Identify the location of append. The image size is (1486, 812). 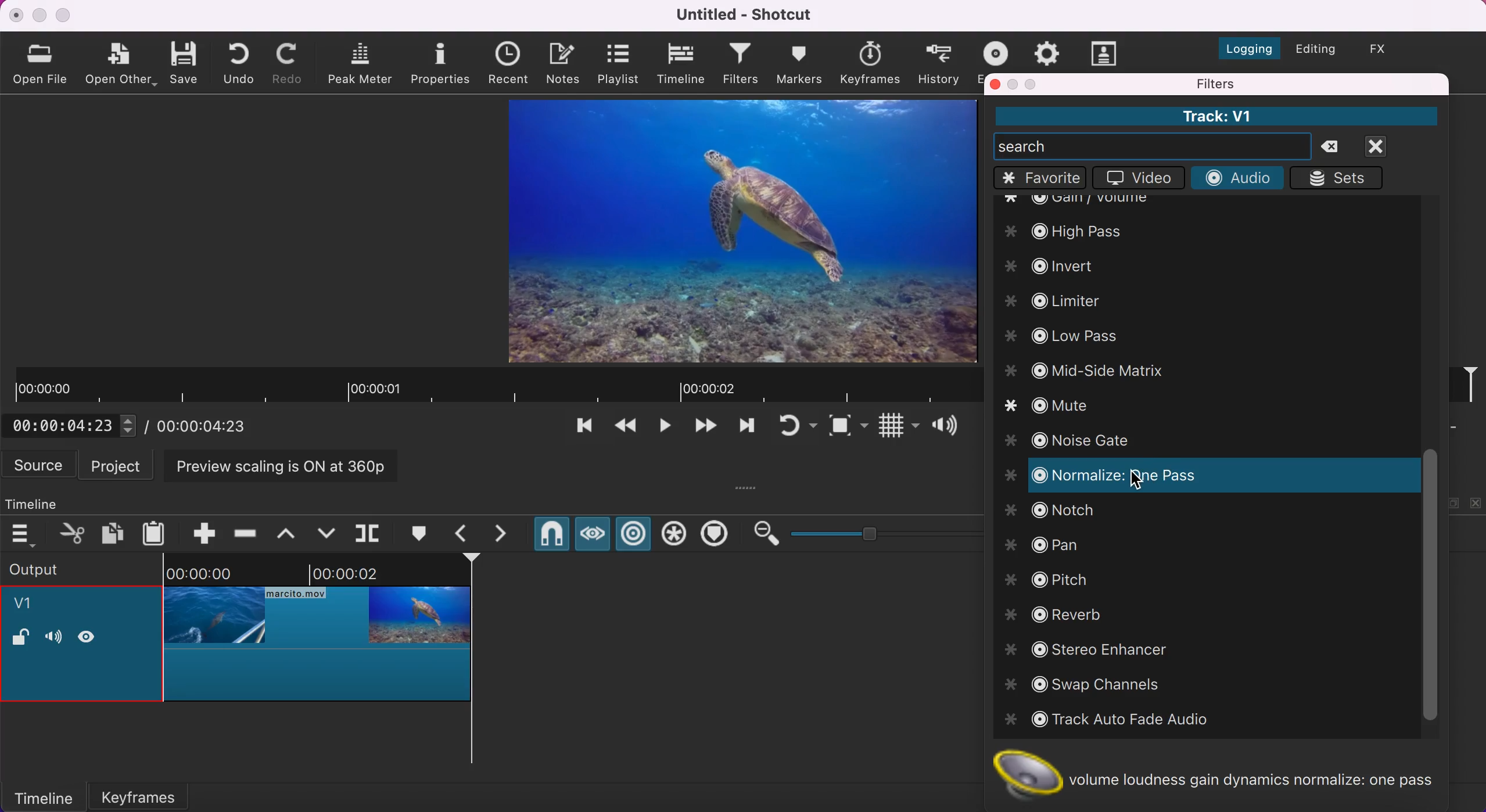
(196, 531).